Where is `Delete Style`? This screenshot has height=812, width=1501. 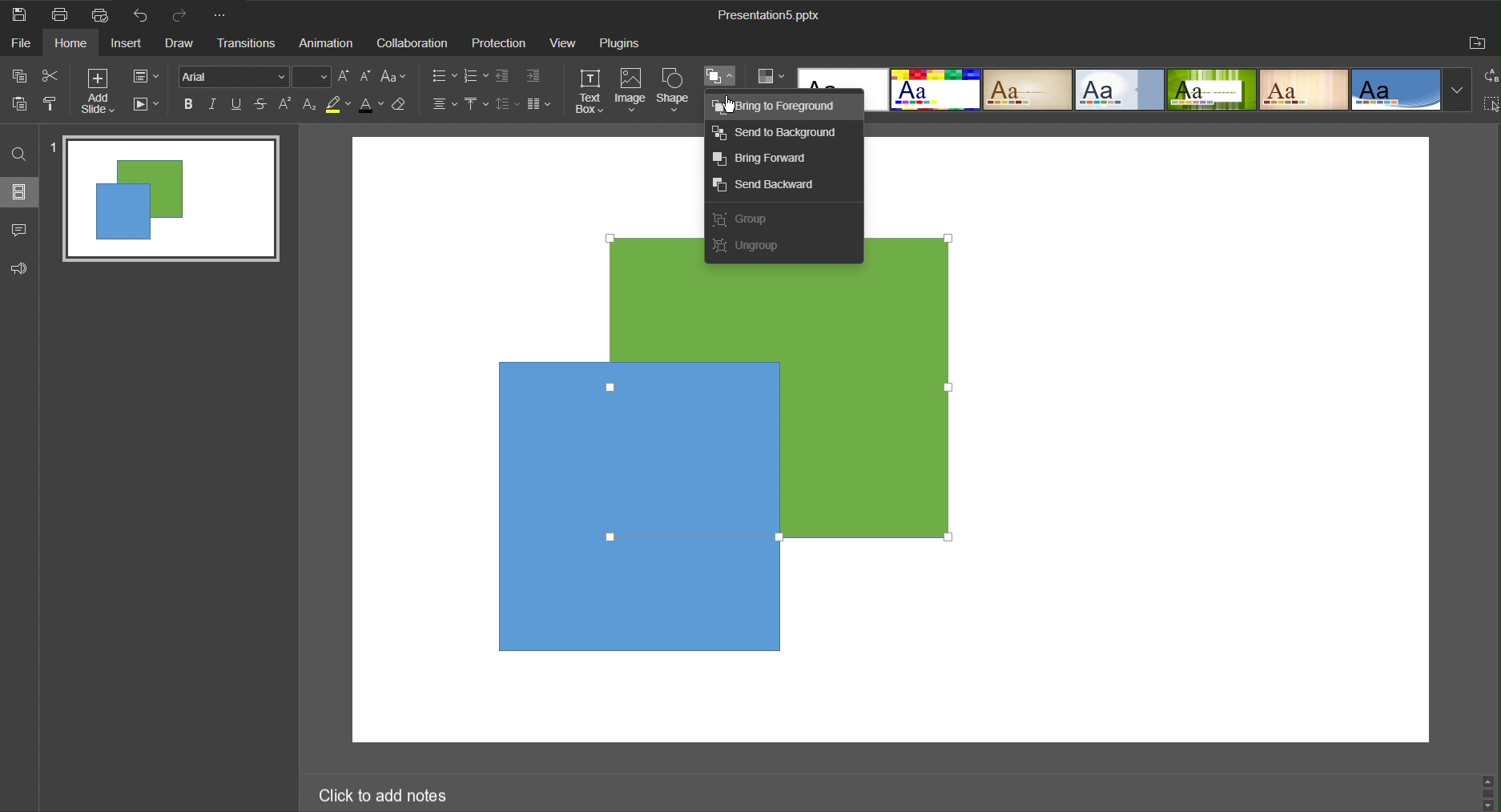
Delete Style is located at coordinates (408, 108).